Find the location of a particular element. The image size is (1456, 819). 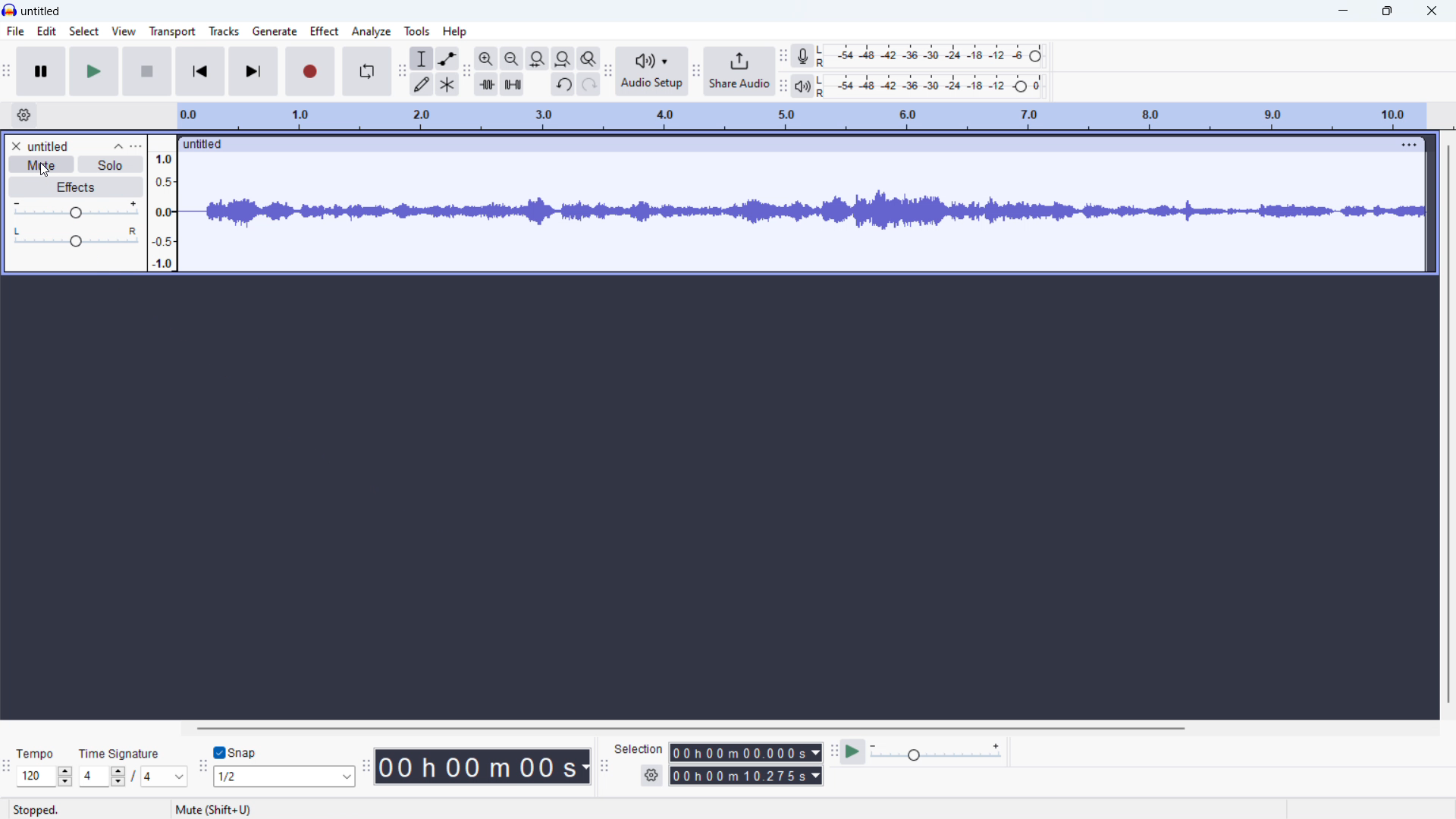

tracks is located at coordinates (225, 30).